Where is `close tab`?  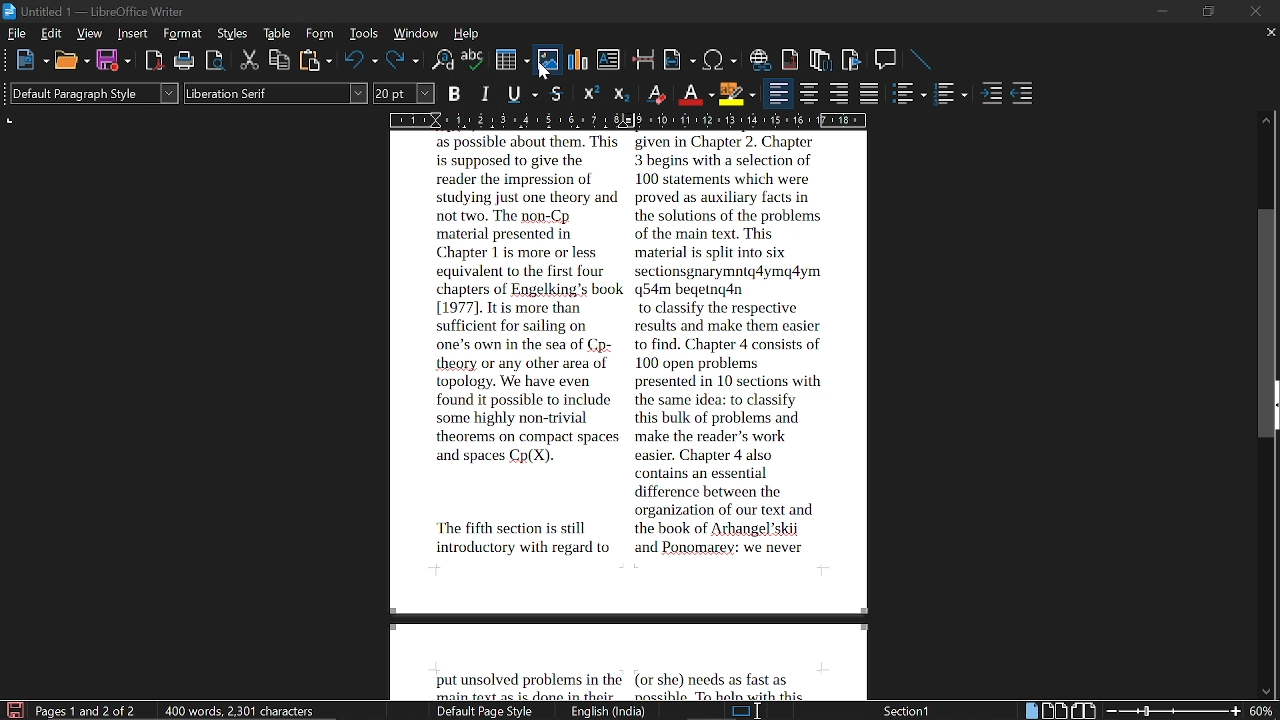
close tab is located at coordinates (1266, 34).